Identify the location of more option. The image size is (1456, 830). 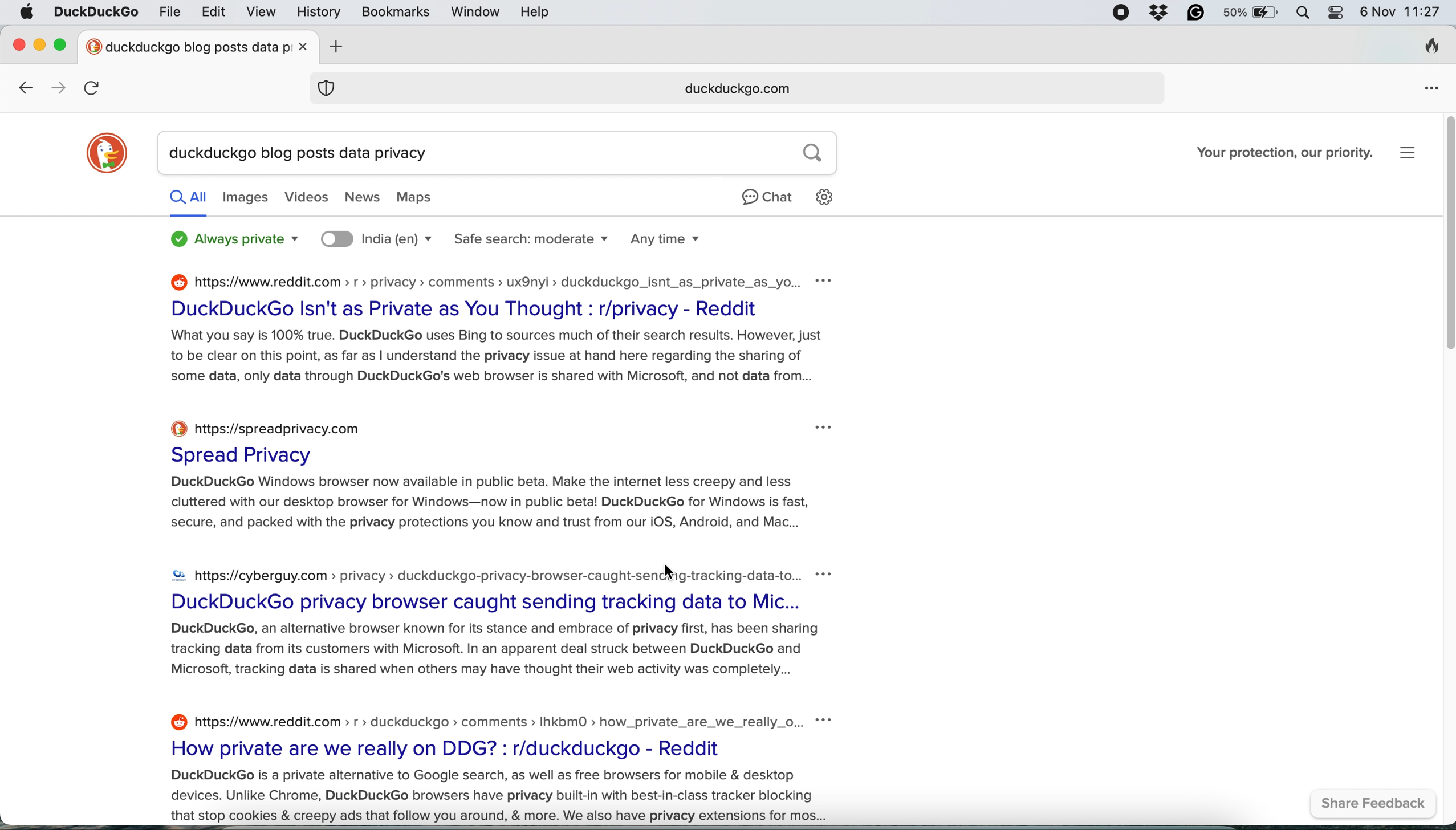
(829, 721).